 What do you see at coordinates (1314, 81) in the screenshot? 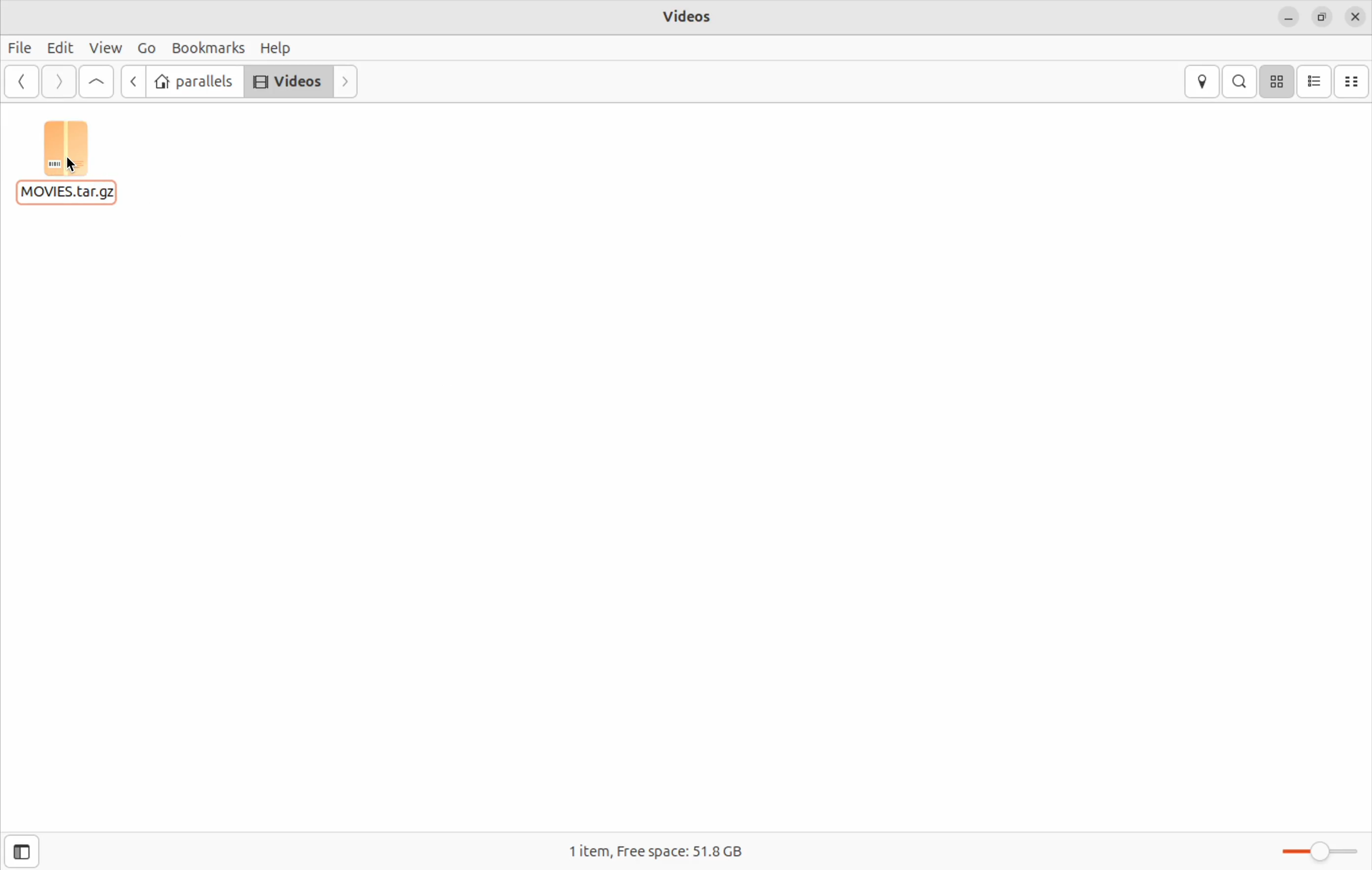
I see `list view` at bounding box center [1314, 81].